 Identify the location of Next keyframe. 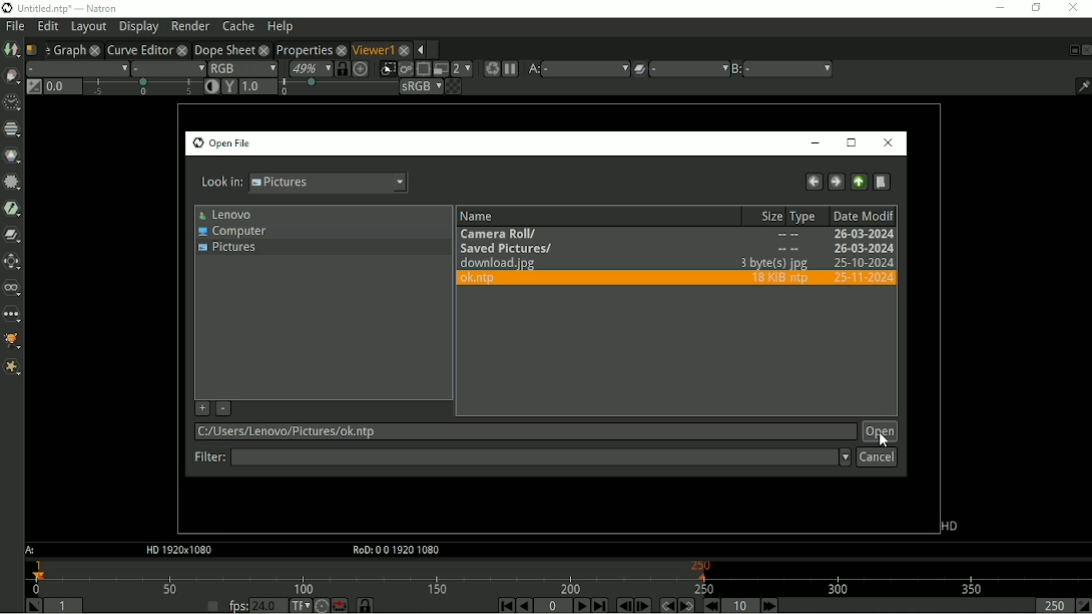
(684, 605).